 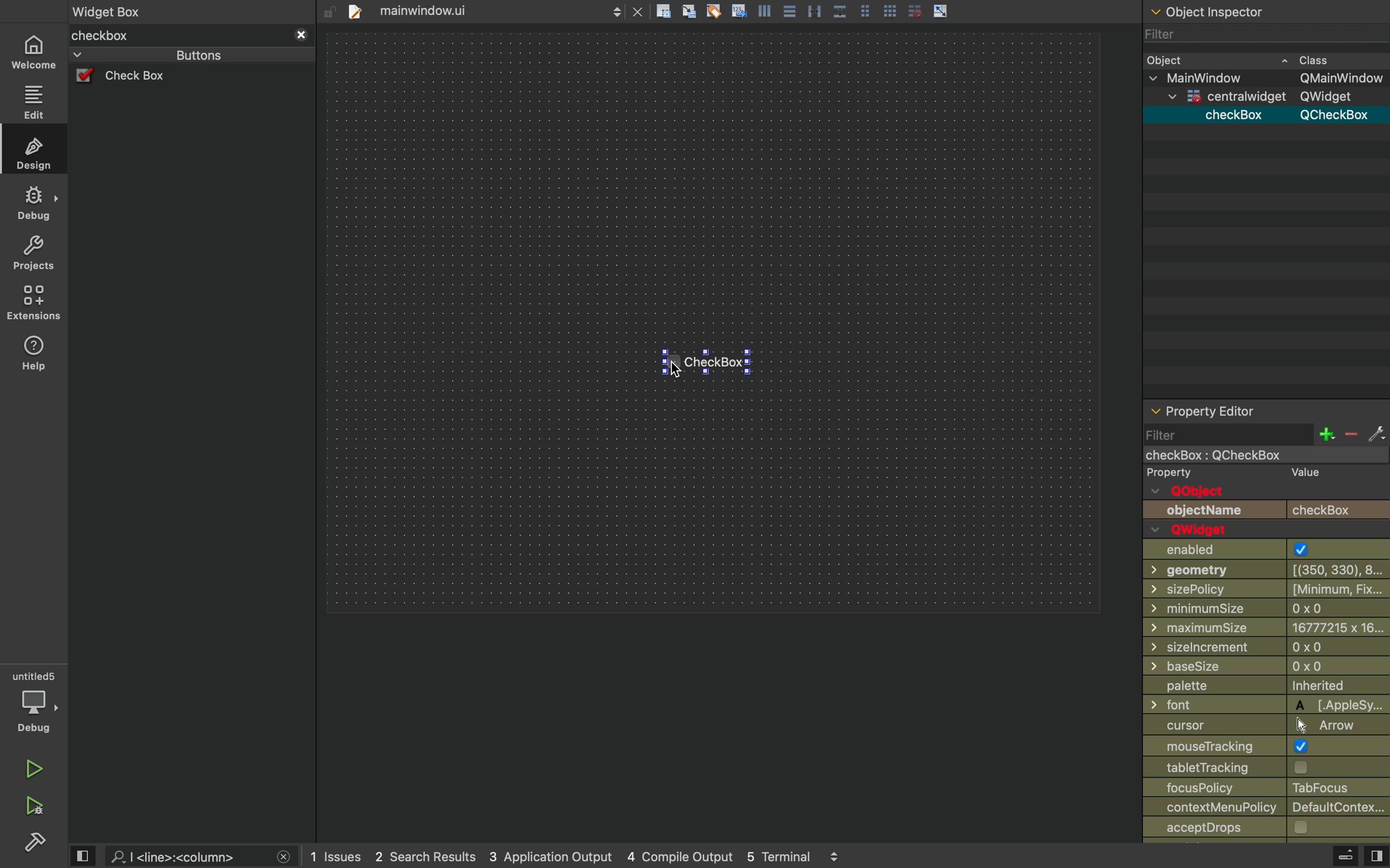 What do you see at coordinates (301, 36) in the screenshot?
I see `close` at bounding box center [301, 36].